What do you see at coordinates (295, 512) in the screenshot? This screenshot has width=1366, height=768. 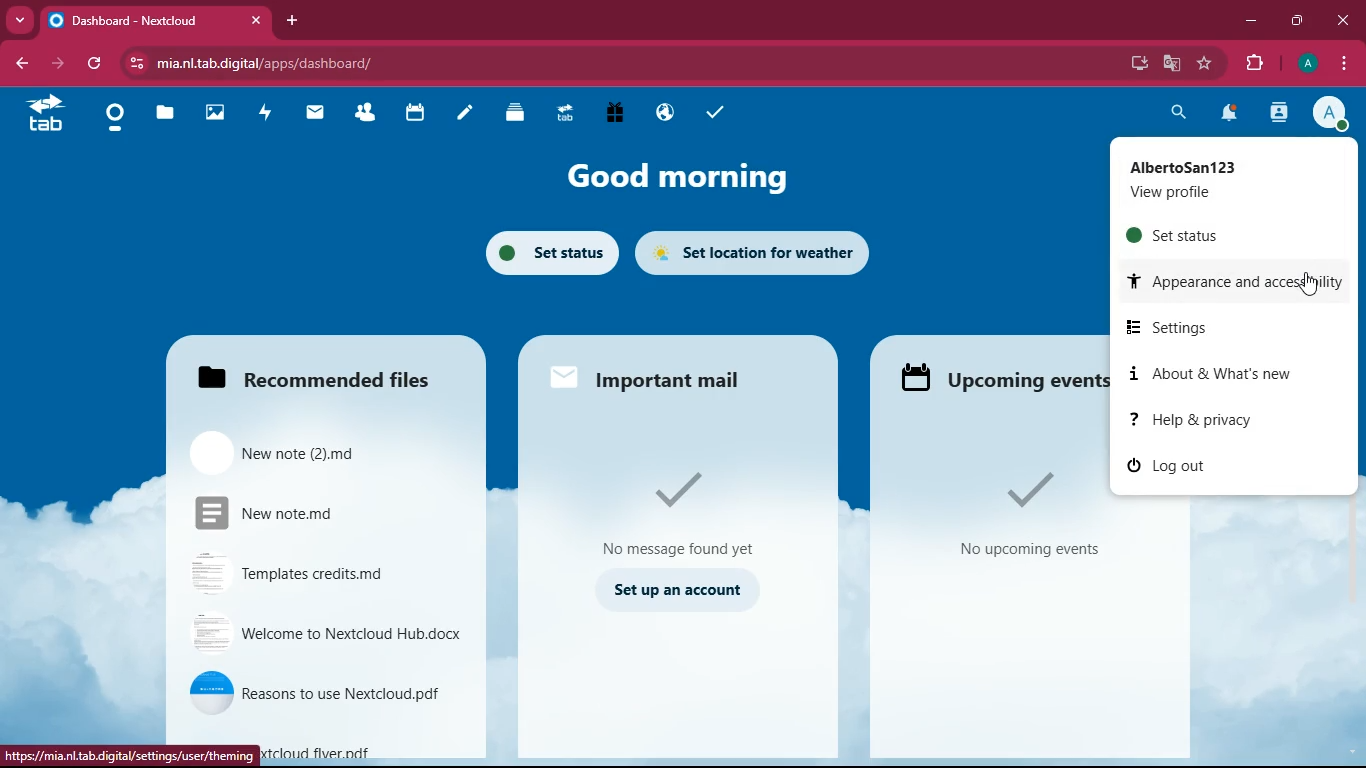 I see `file` at bounding box center [295, 512].